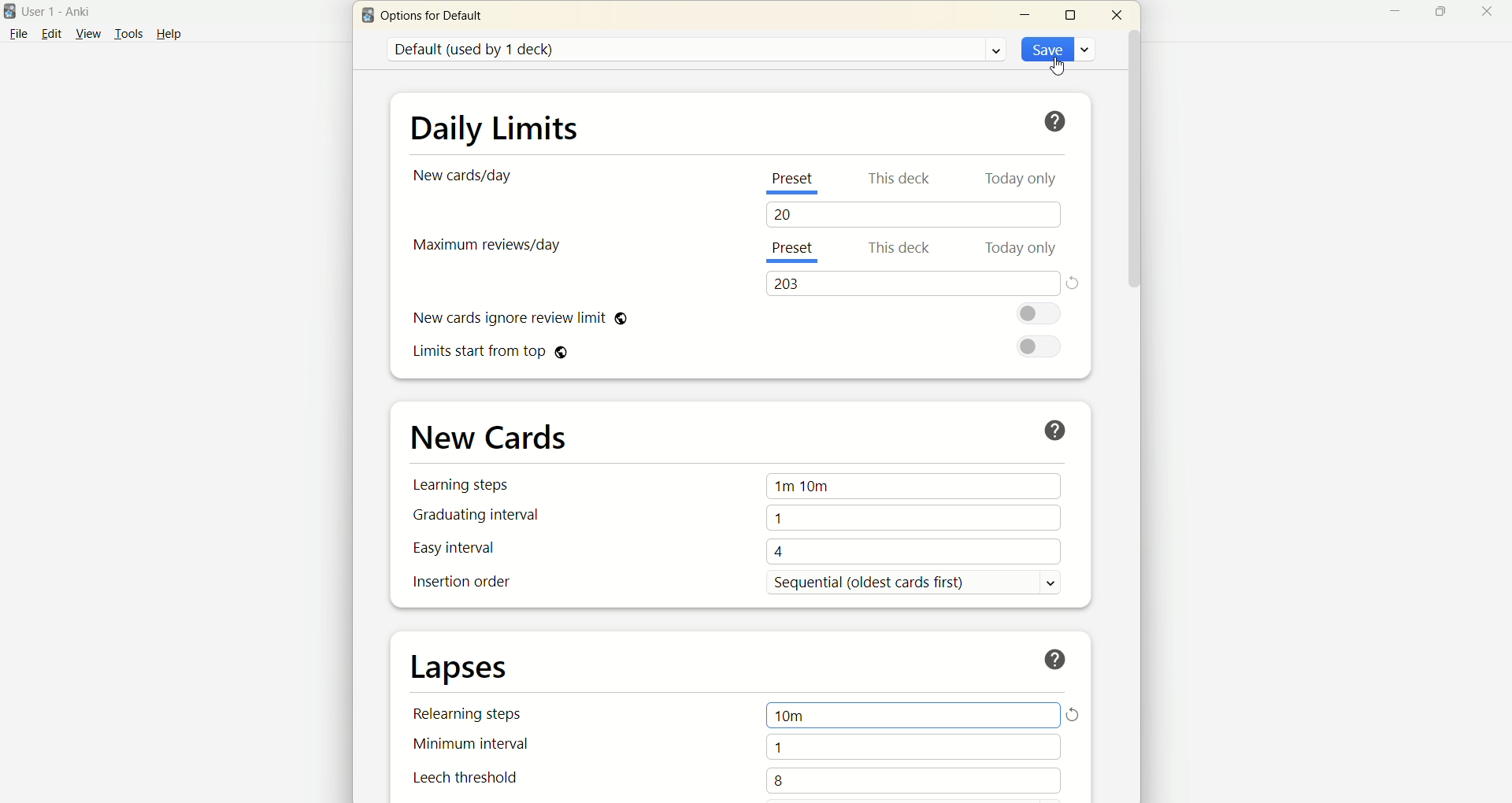 Image resolution: width=1512 pixels, height=803 pixels. What do you see at coordinates (695, 50) in the screenshot?
I see `default (used by 1 deck)` at bounding box center [695, 50].